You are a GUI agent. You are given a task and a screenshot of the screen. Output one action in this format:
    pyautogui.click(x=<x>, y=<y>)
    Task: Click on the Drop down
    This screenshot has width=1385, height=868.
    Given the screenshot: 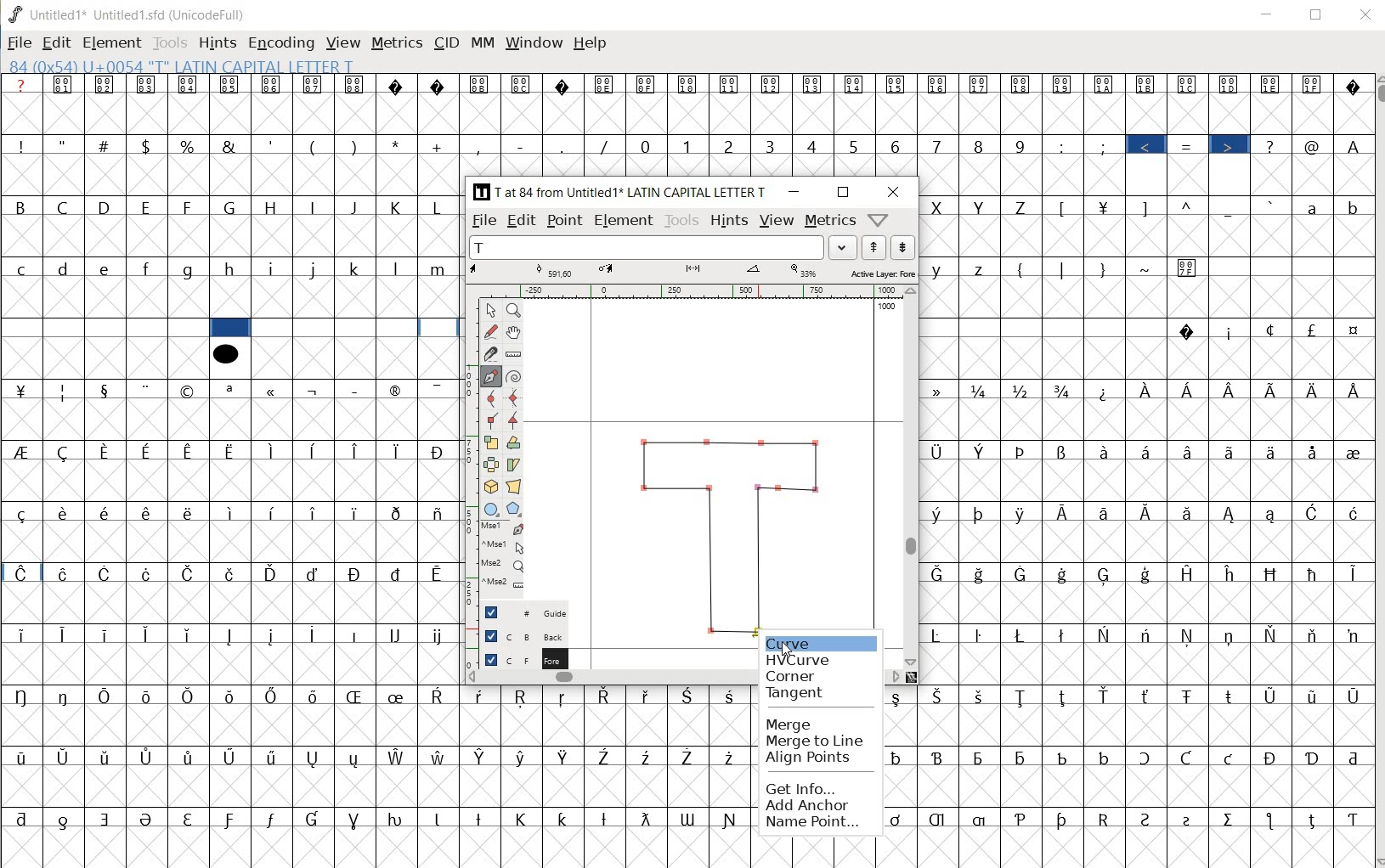 What is the action you would take?
    pyautogui.click(x=843, y=247)
    